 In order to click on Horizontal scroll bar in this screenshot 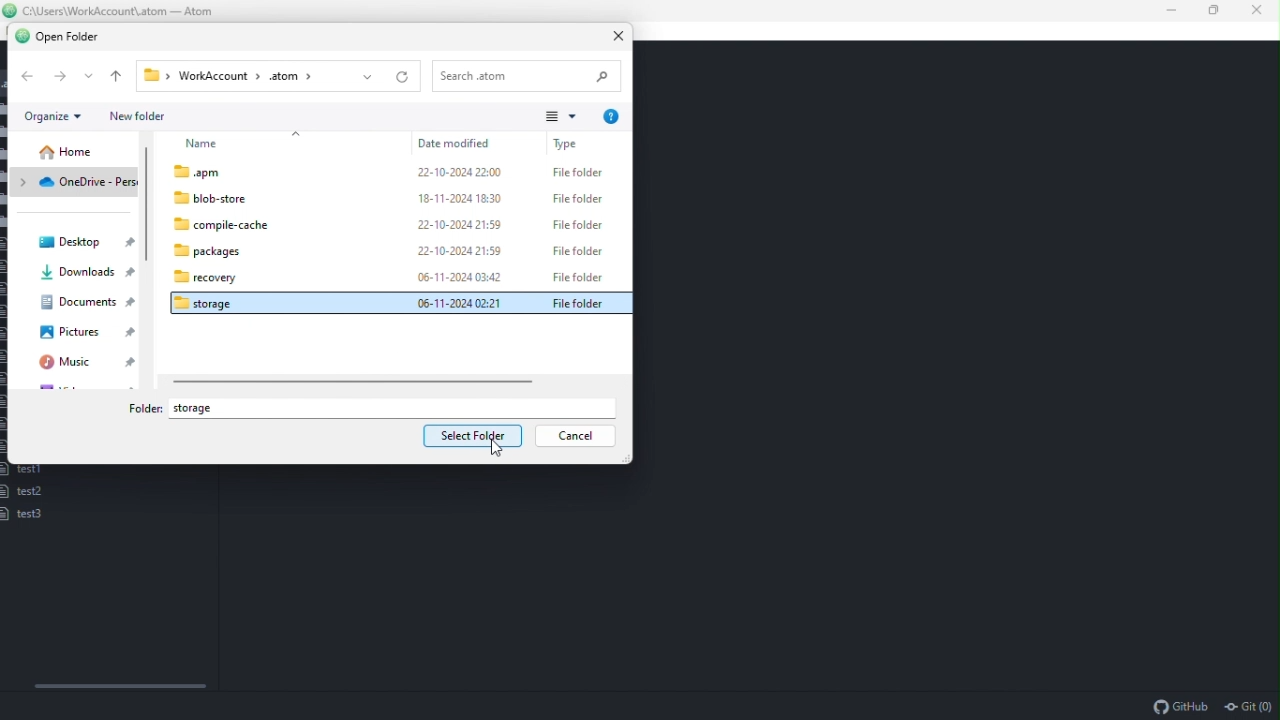, I will do `click(119, 686)`.